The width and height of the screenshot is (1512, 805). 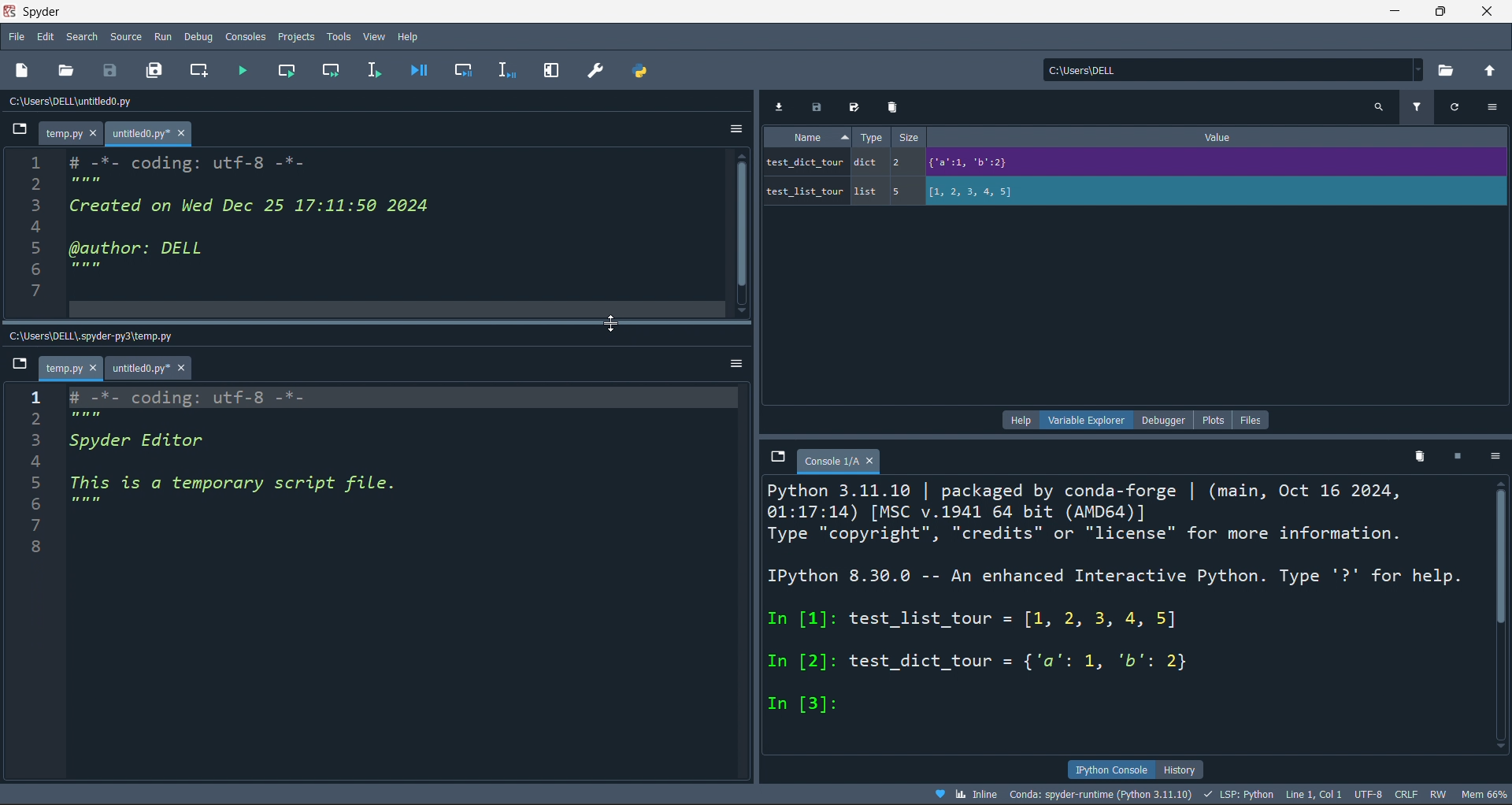 What do you see at coordinates (40, 310) in the screenshot?
I see `8` at bounding box center [40, 310].